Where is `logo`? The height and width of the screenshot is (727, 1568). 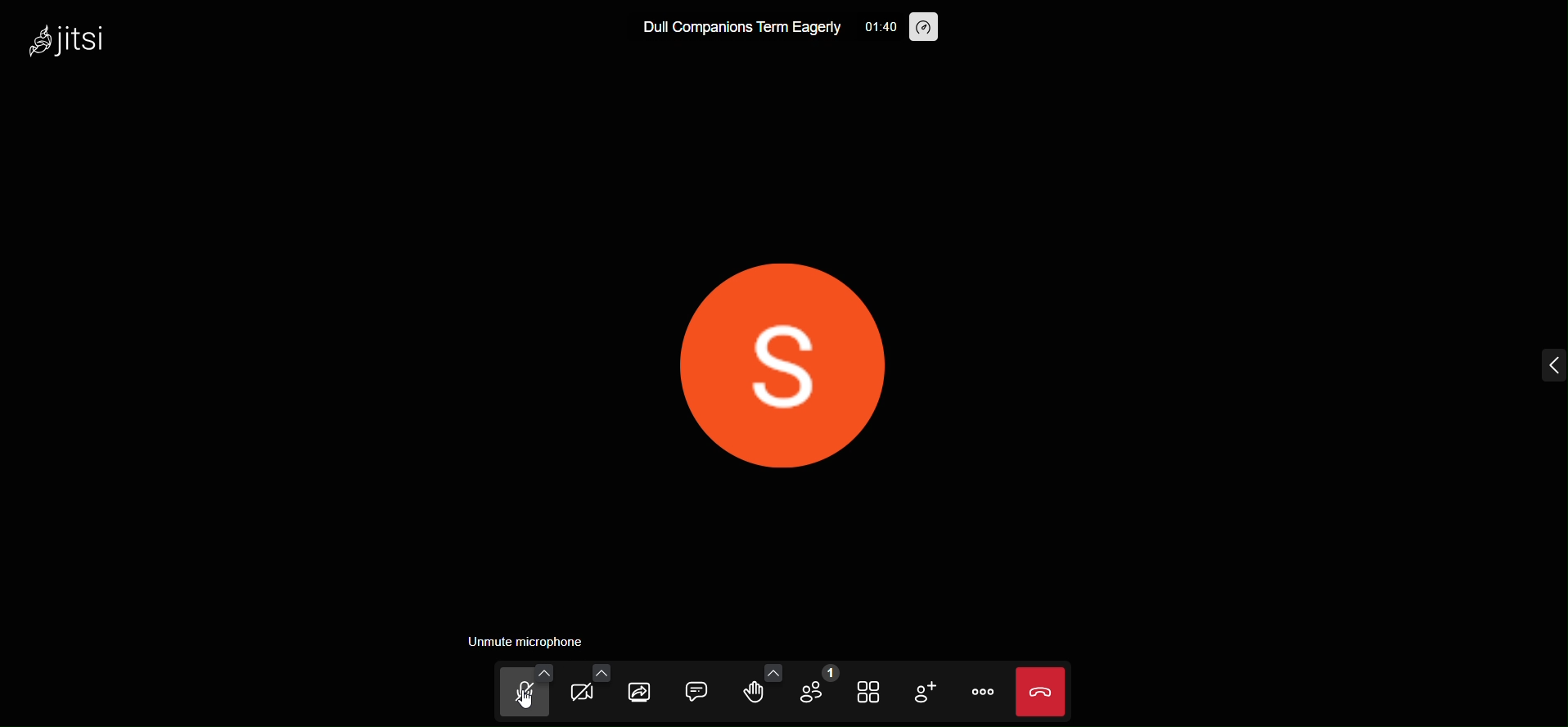
logo is located at coordinates (75, 38).